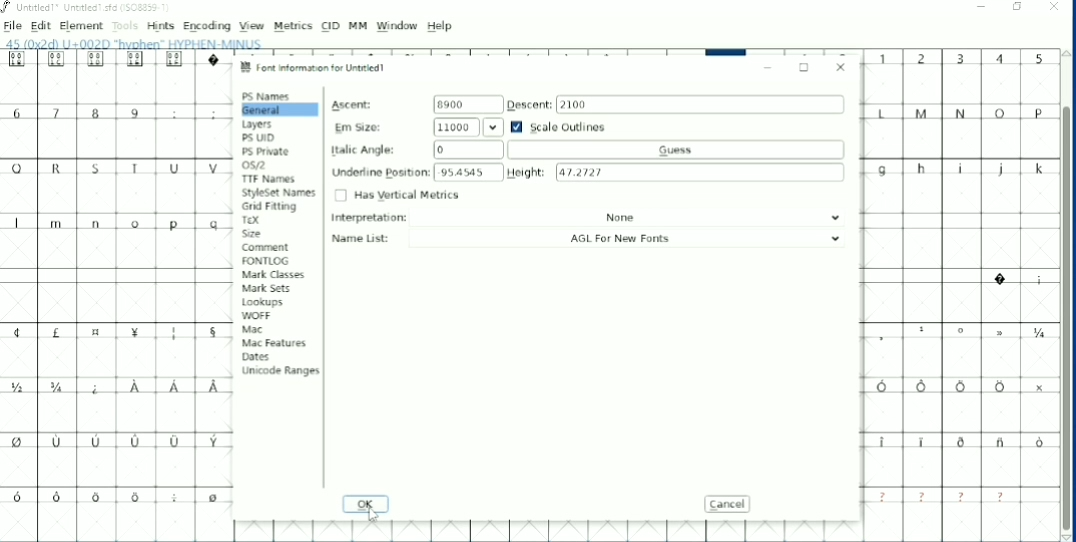 This screenshot has width=1076, height=542. I want to click on Metrics, so click(292, 26).